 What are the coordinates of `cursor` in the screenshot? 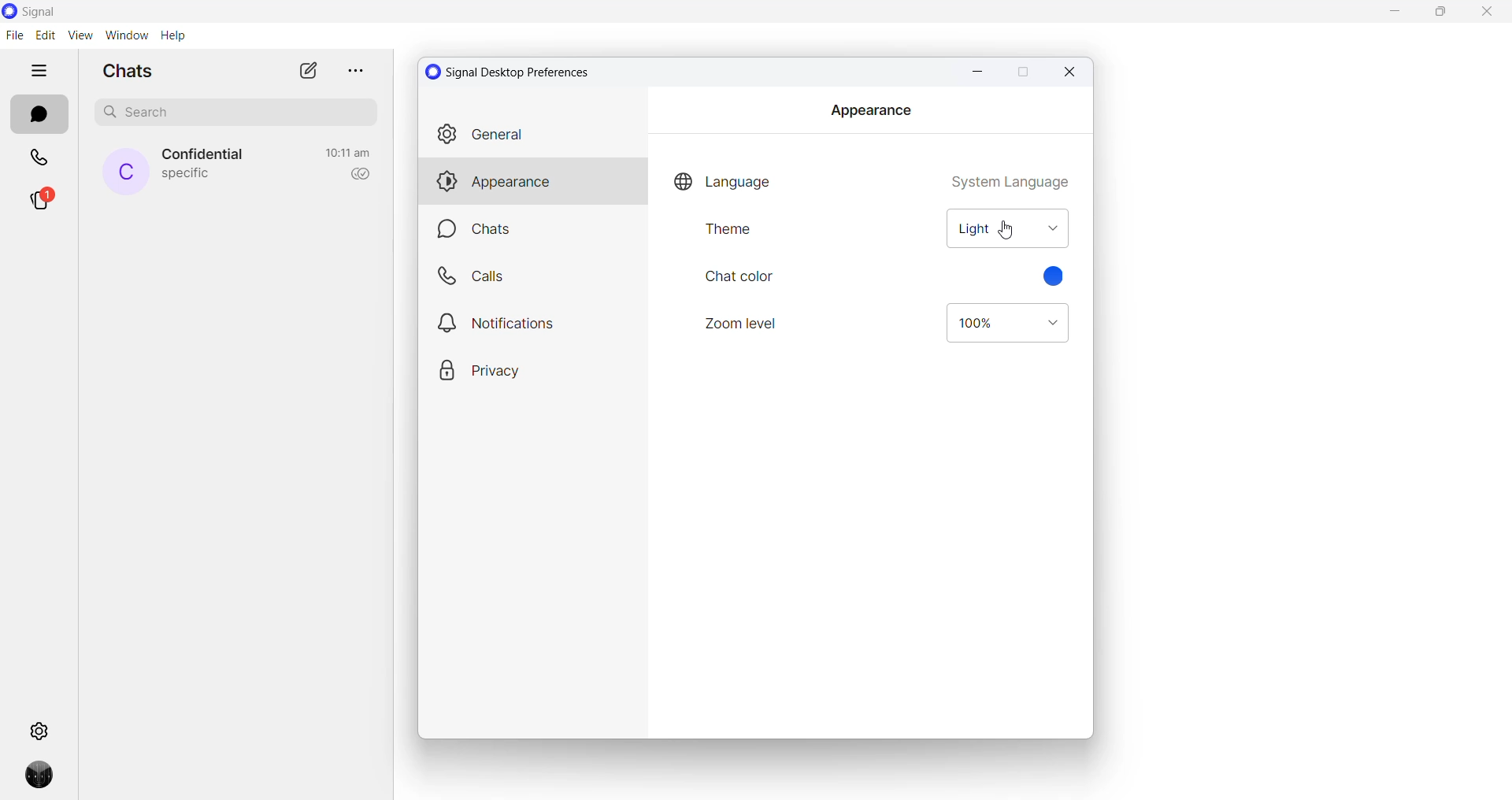 It's located at (1010, 229).